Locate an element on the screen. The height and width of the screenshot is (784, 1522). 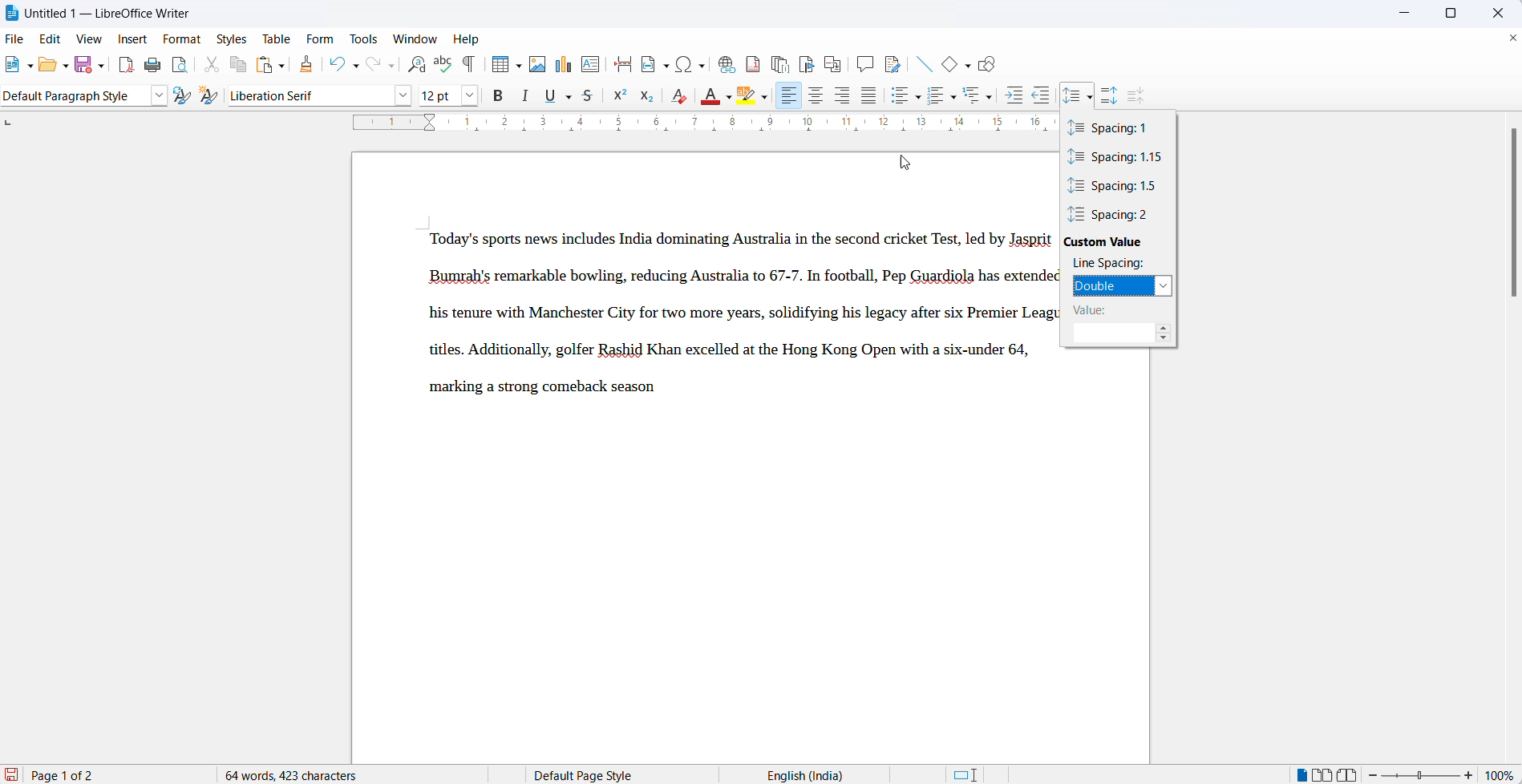
tools is located at coordinates (366, 38).